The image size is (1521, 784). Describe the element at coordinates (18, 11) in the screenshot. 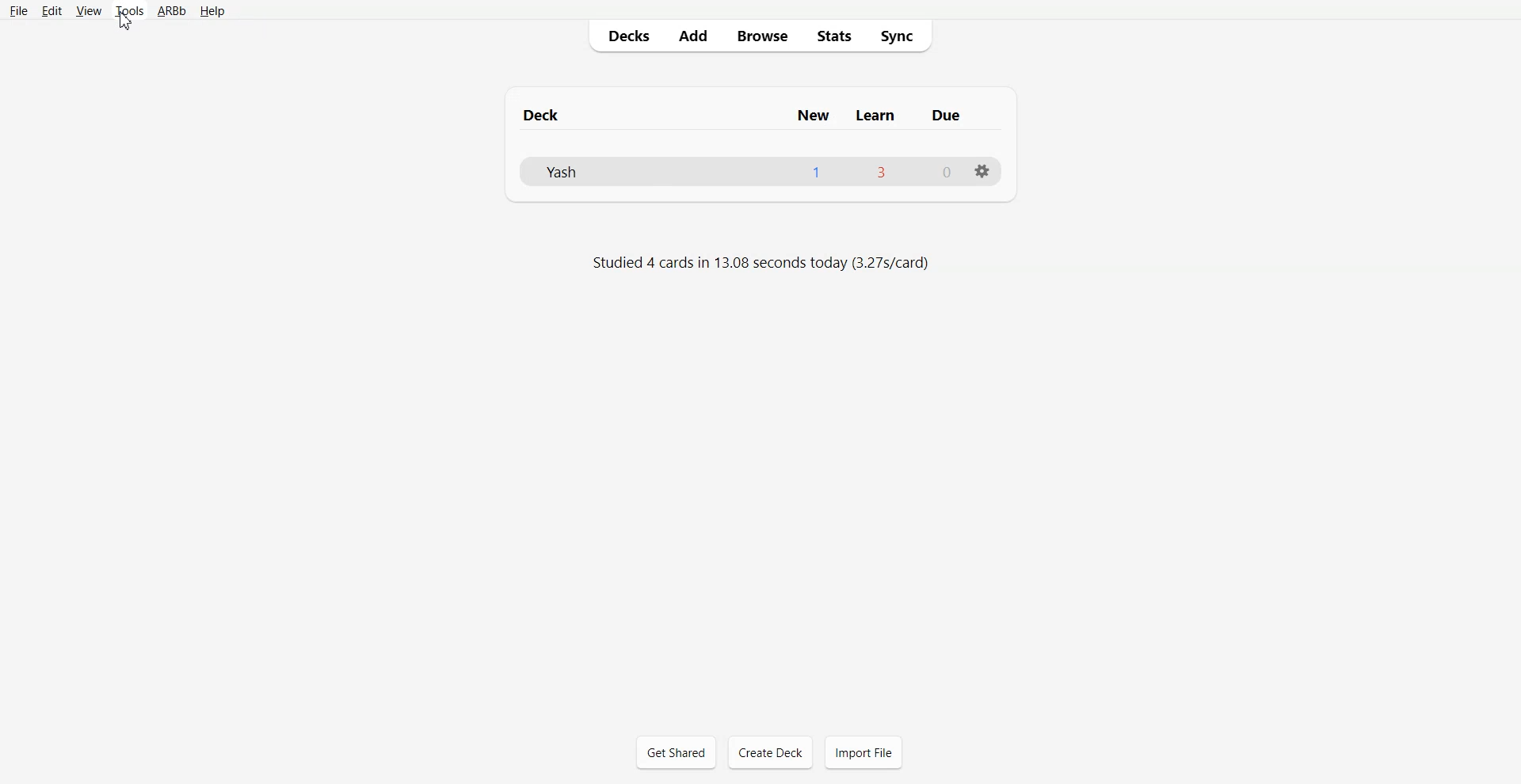

I see `File` at that location.